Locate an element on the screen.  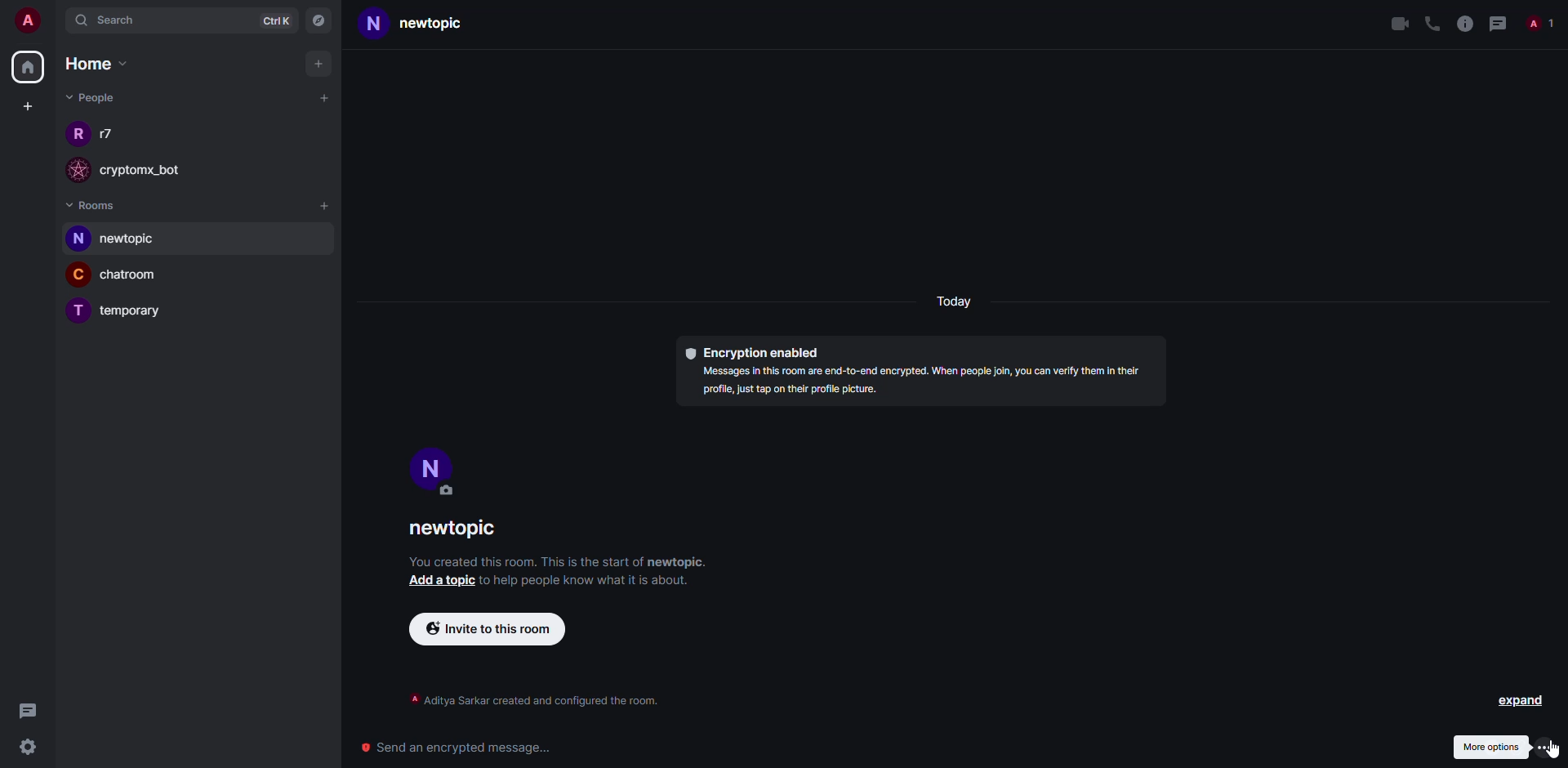
people is located at coordinates (91, 98).